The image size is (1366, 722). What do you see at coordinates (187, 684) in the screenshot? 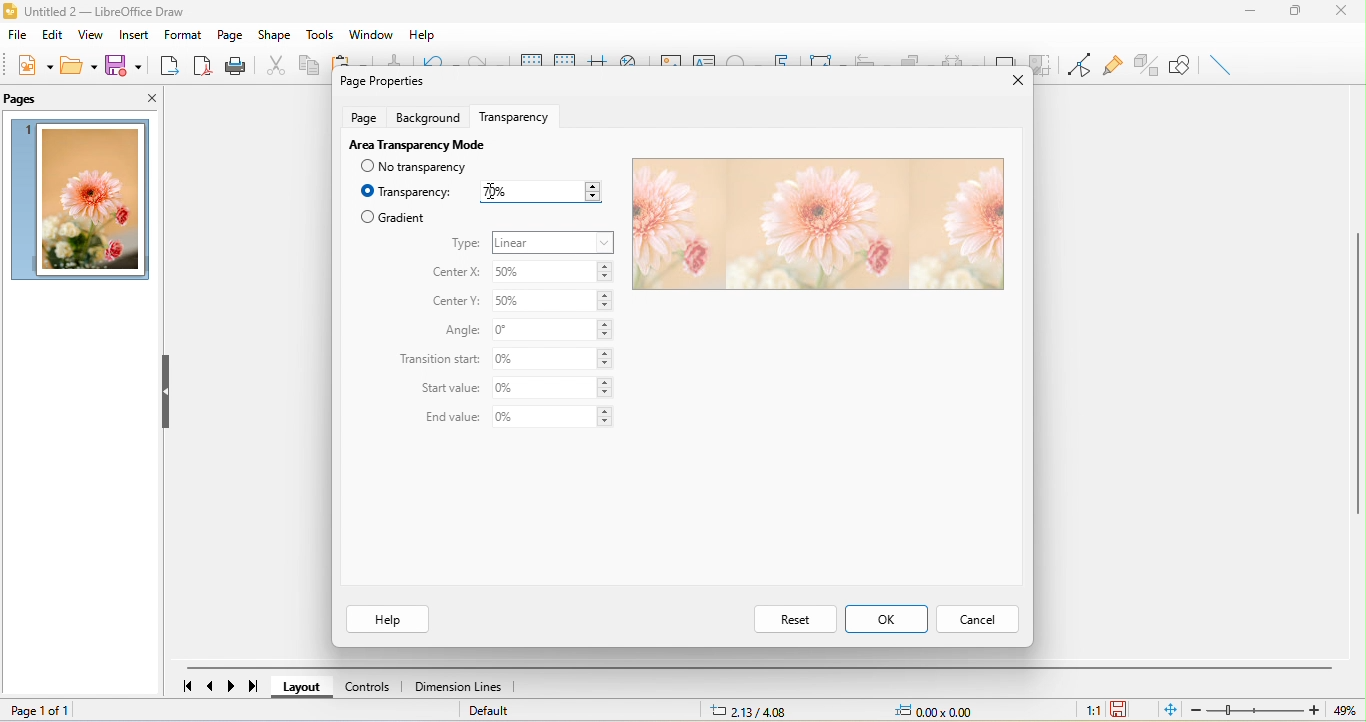
I see `first page` at bounding box center [187, 684].